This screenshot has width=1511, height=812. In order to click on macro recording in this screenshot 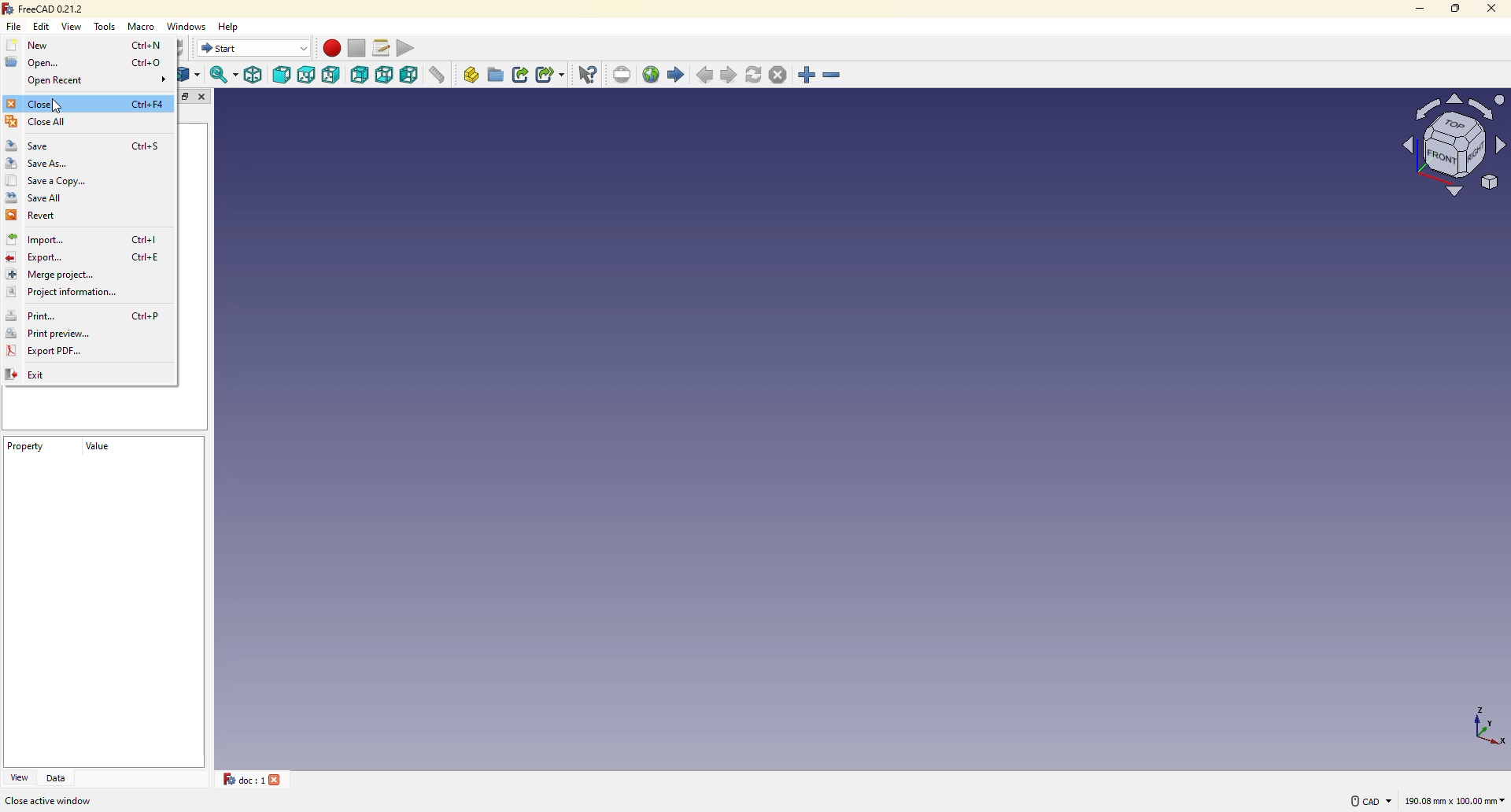, I will do `click(331, 48)`.